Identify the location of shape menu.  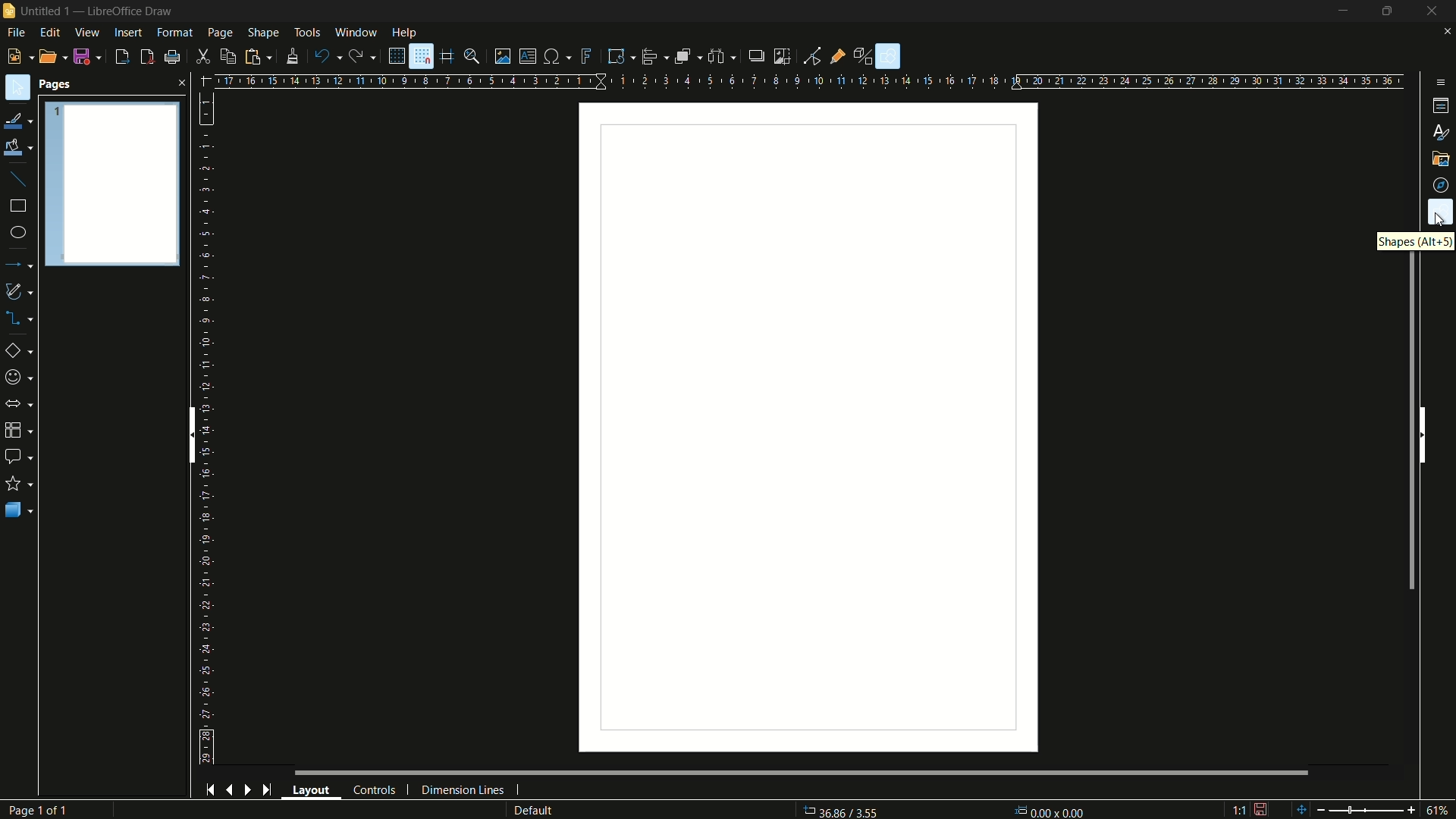
(265, 33).